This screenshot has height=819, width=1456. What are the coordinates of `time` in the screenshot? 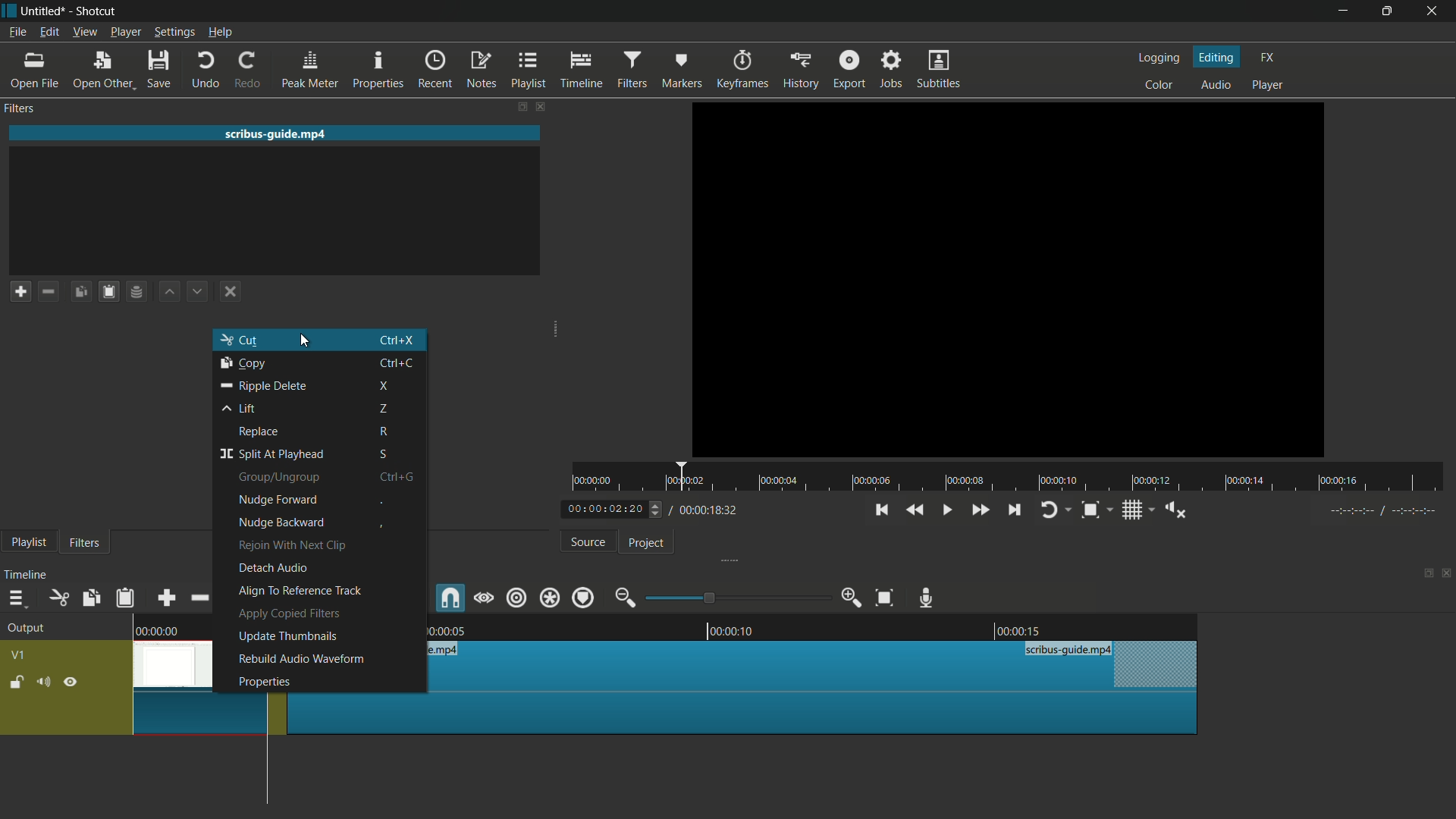 It's located at (1015, 478).